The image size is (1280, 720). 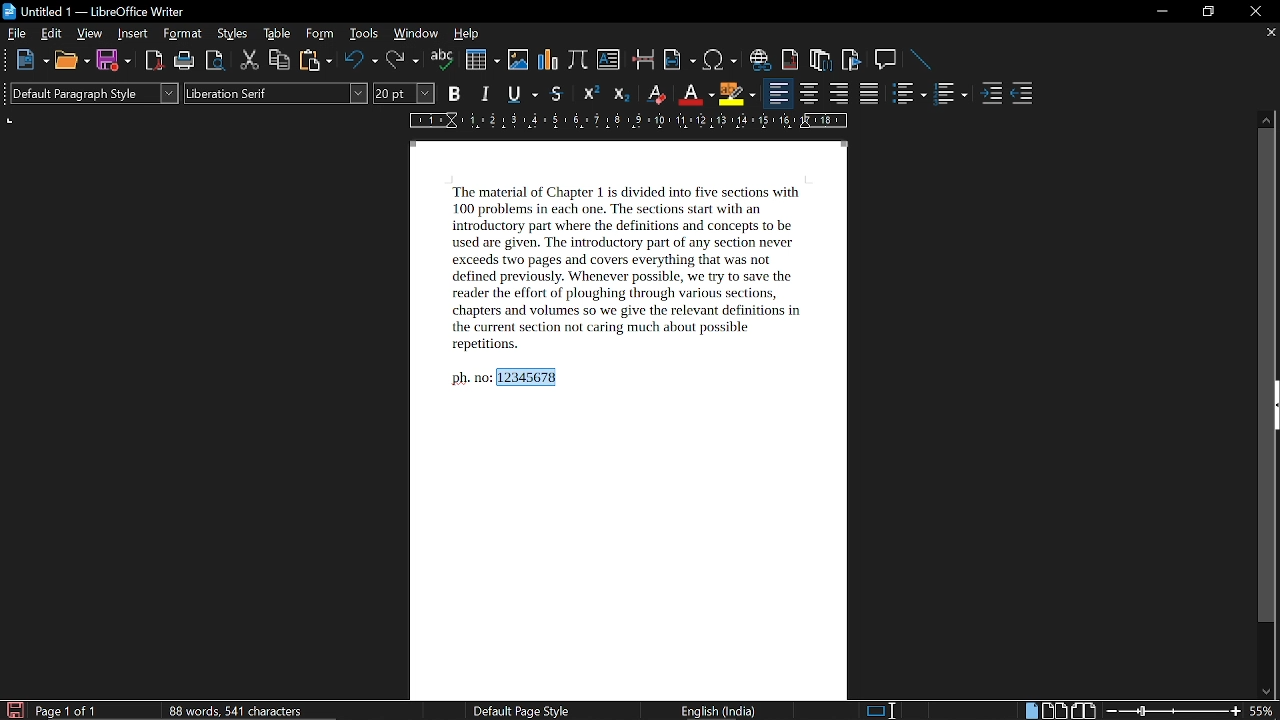 I want to click on insert hyperlink, so click(x=758, y=59).